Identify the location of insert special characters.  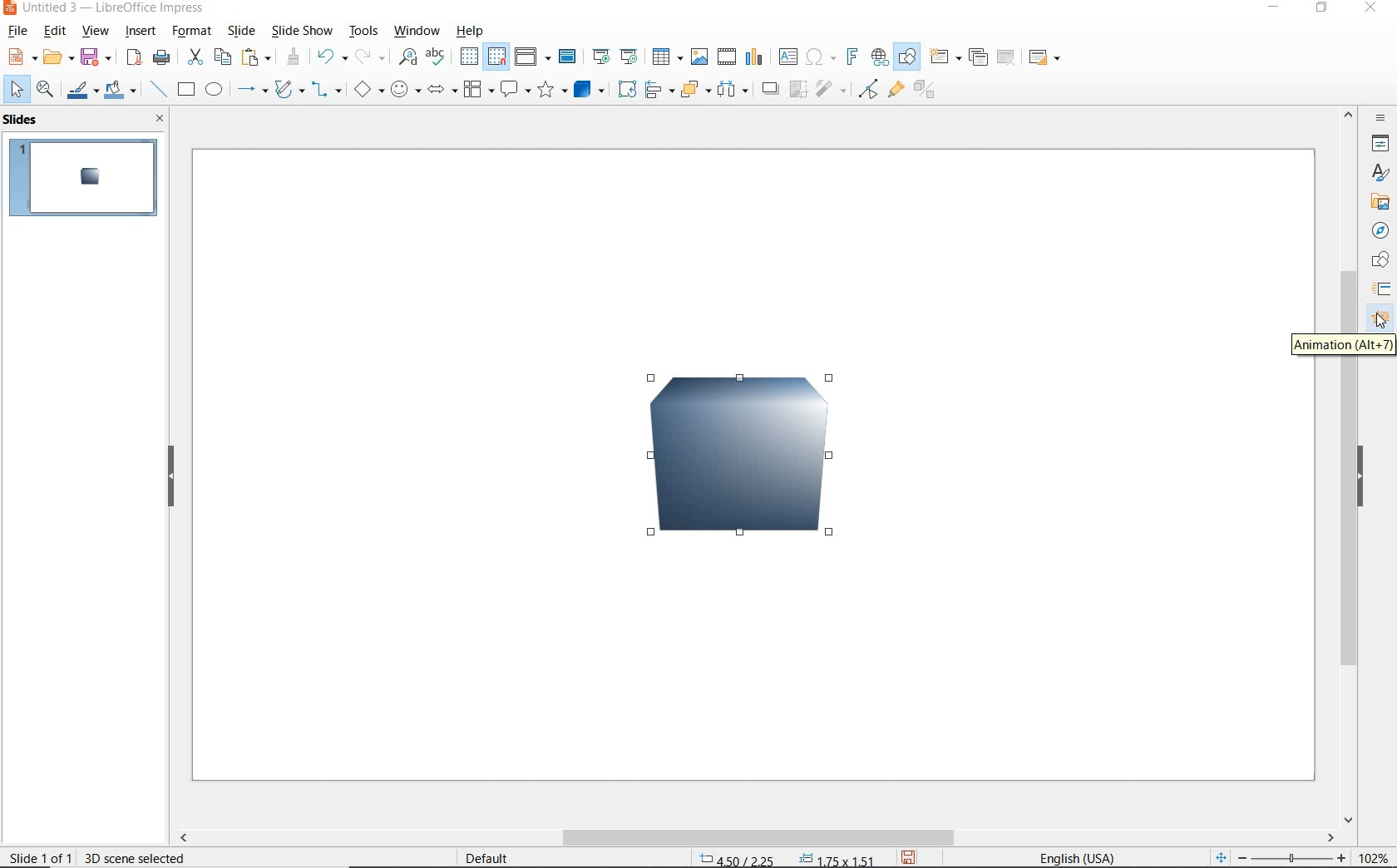
(818, 57).